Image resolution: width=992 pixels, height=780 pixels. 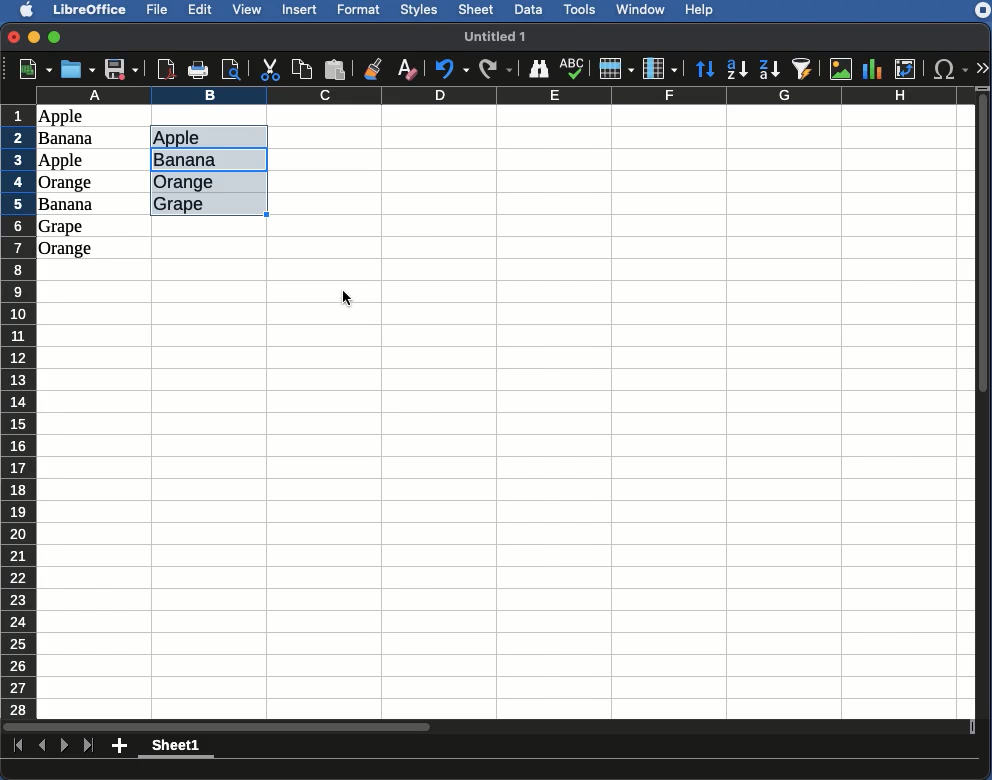 What do you see at coordinates (503, 35) in the screenshot?
I see `untitled 1` at bounding box center [503, 35].